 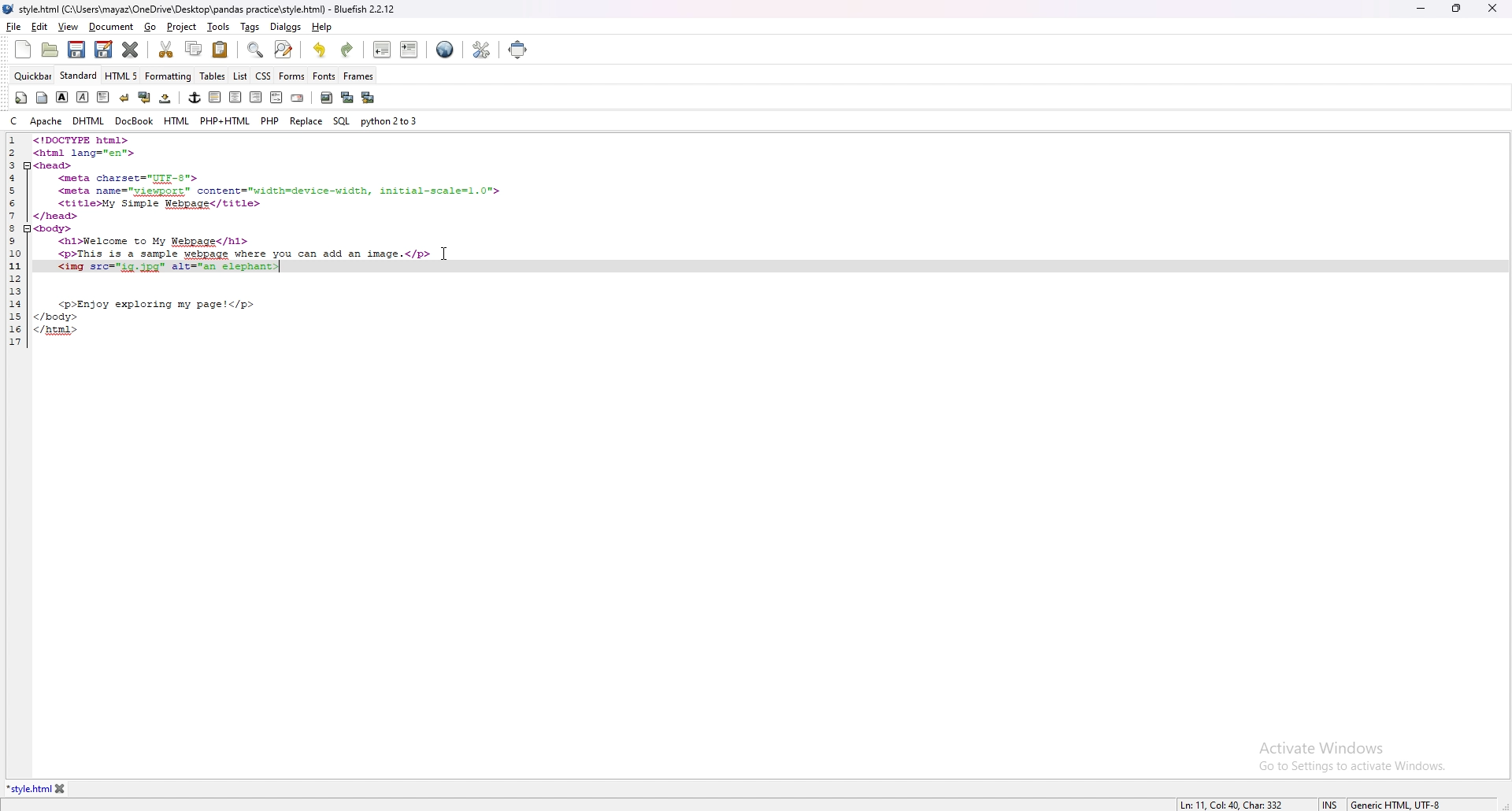 What do you see at coordinates (216, 98) in the screenshot?
I see `left justify` at bounding box center [216, 98].